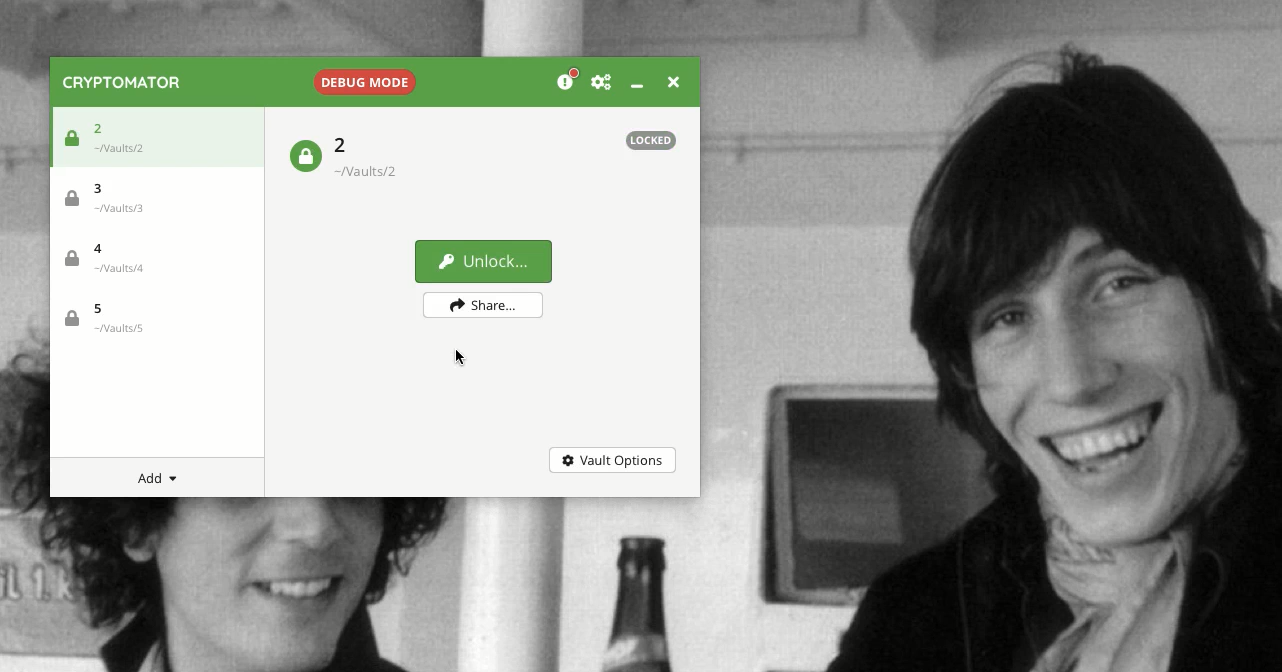 The image size is (1282, 672). What do you see at coordinates (304, 157) in the screenshot?
I see `locked` at bounding box center [304, 157].